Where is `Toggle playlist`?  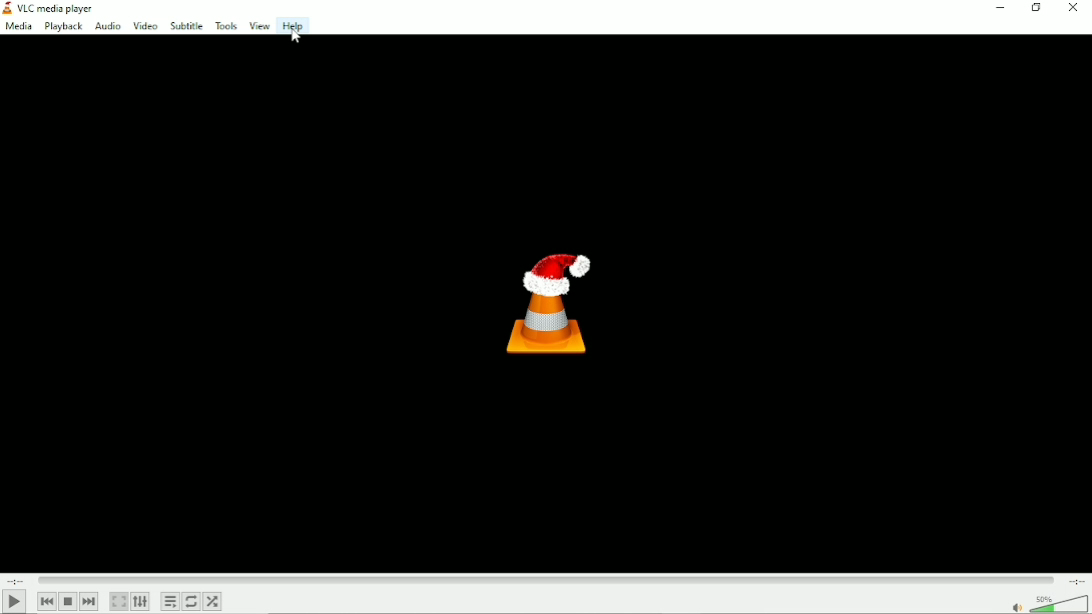
Toggle playlist is located at coordinates (170, 601).